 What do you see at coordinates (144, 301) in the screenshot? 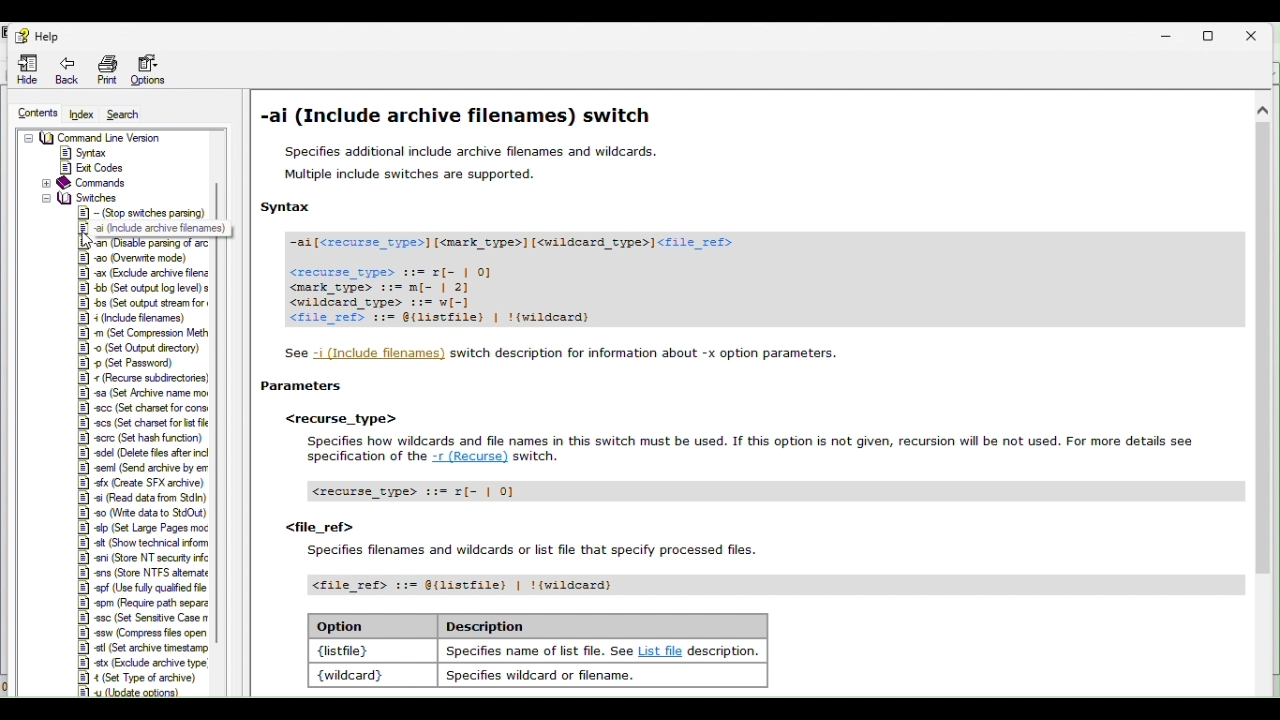
I see `et output stream for` at bounding box center [144, 301].